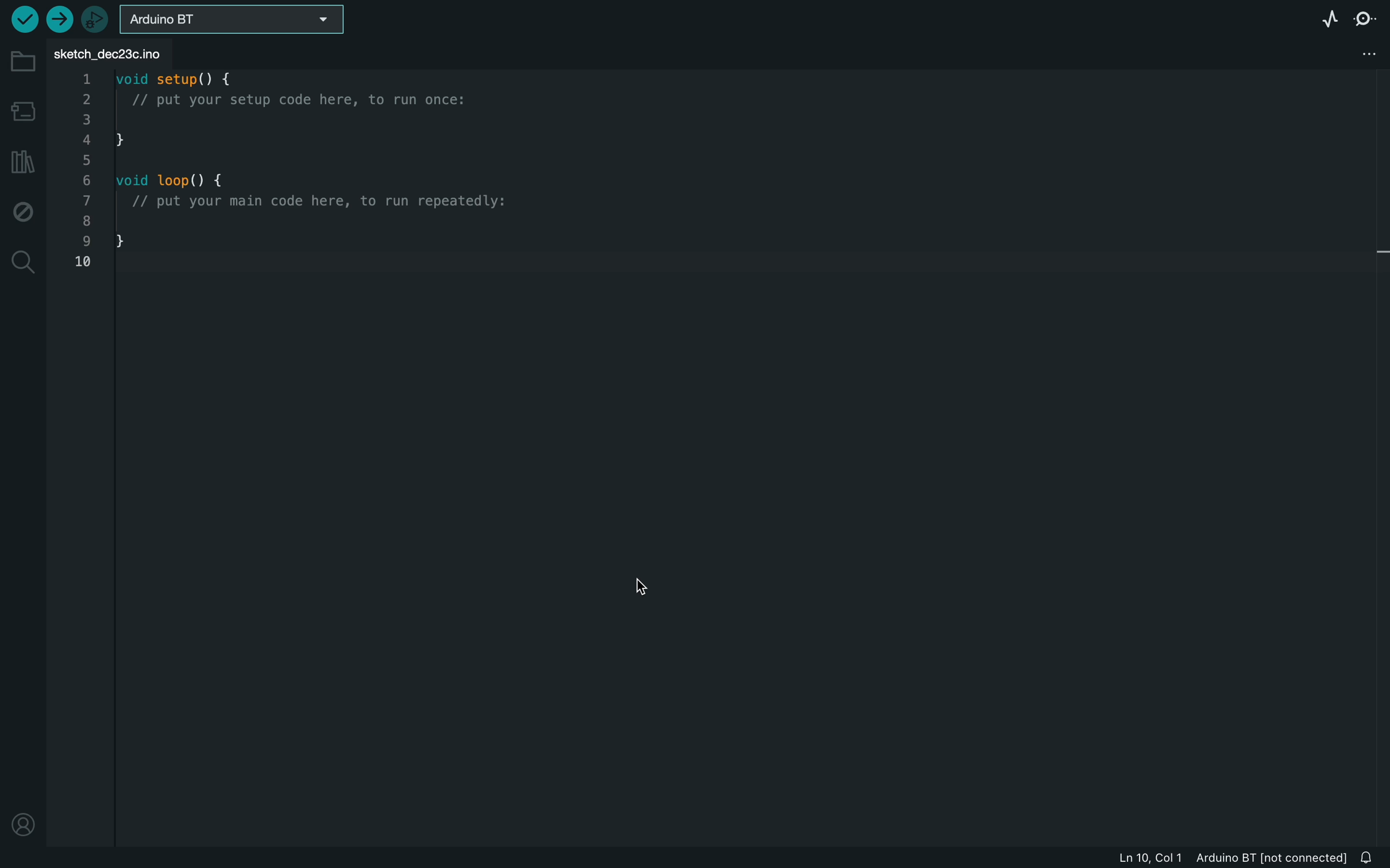  Describe the element at coordinates (1214, 858) in the screenshot. I see `file information` at that location.